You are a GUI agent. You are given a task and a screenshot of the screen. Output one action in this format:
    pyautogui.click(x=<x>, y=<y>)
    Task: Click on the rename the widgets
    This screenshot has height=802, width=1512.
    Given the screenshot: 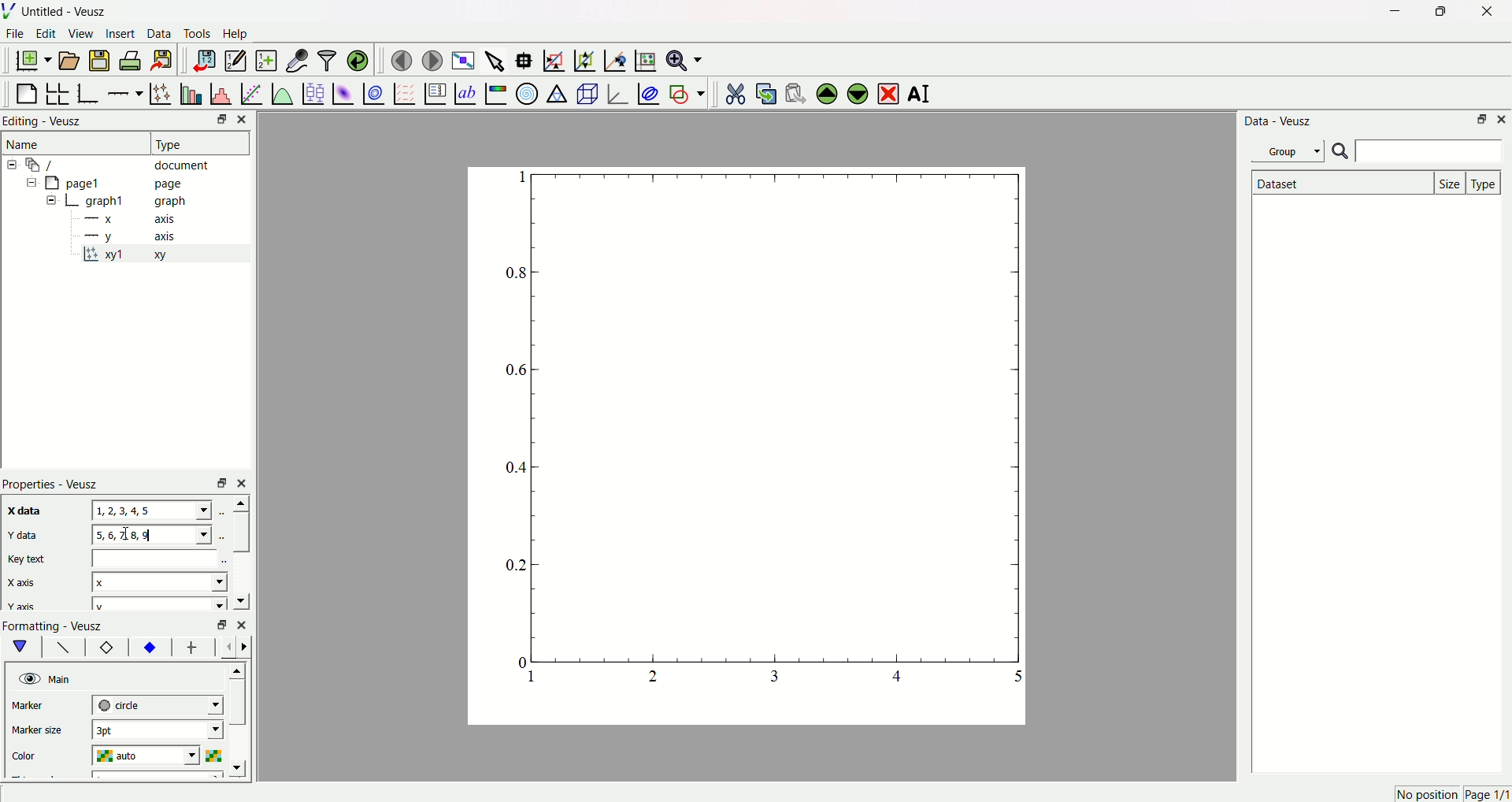 What is the action you would take?
    pyautogui.click(x=921, y=95)
    